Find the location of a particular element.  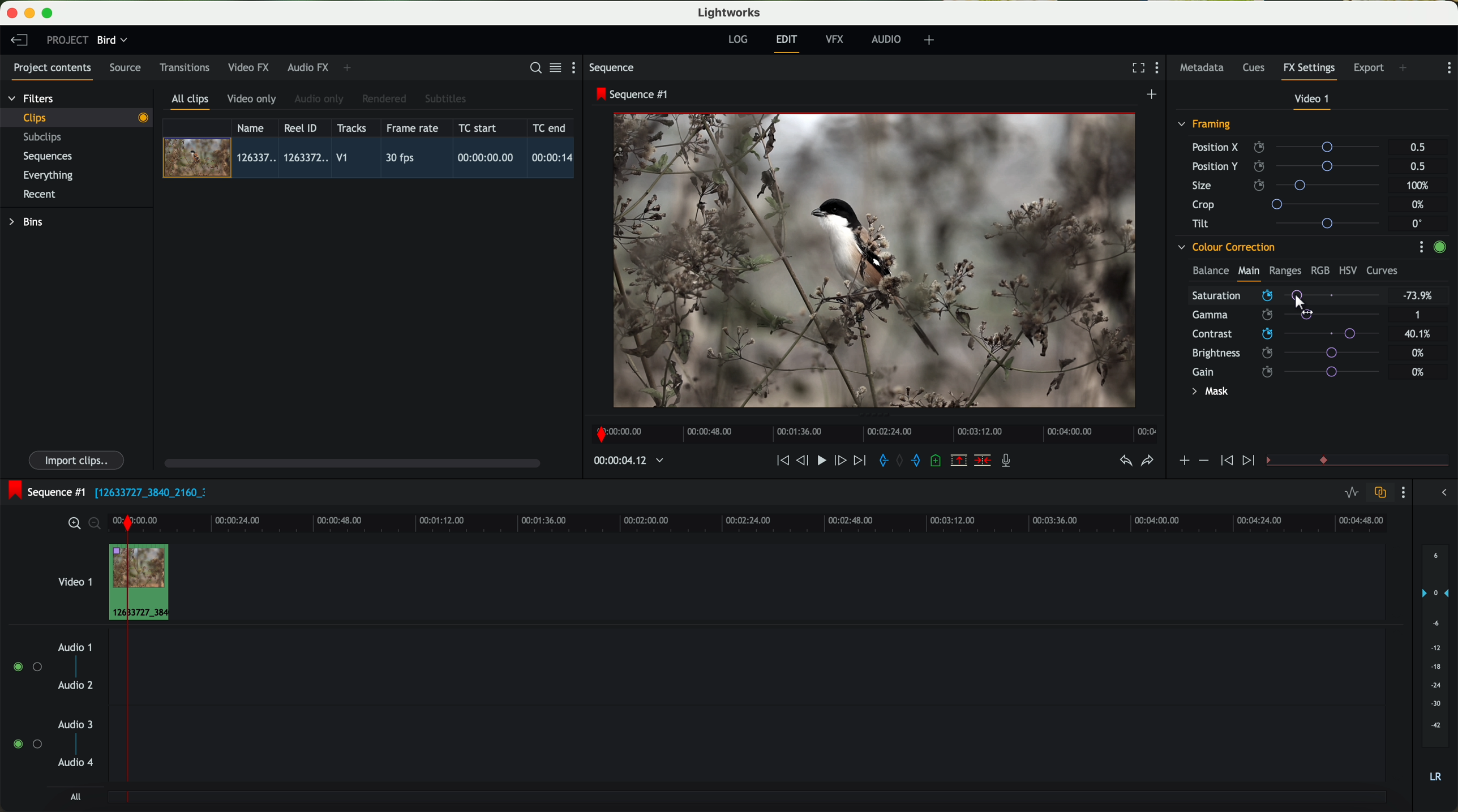

subclips is located at coordinates (45, 138).